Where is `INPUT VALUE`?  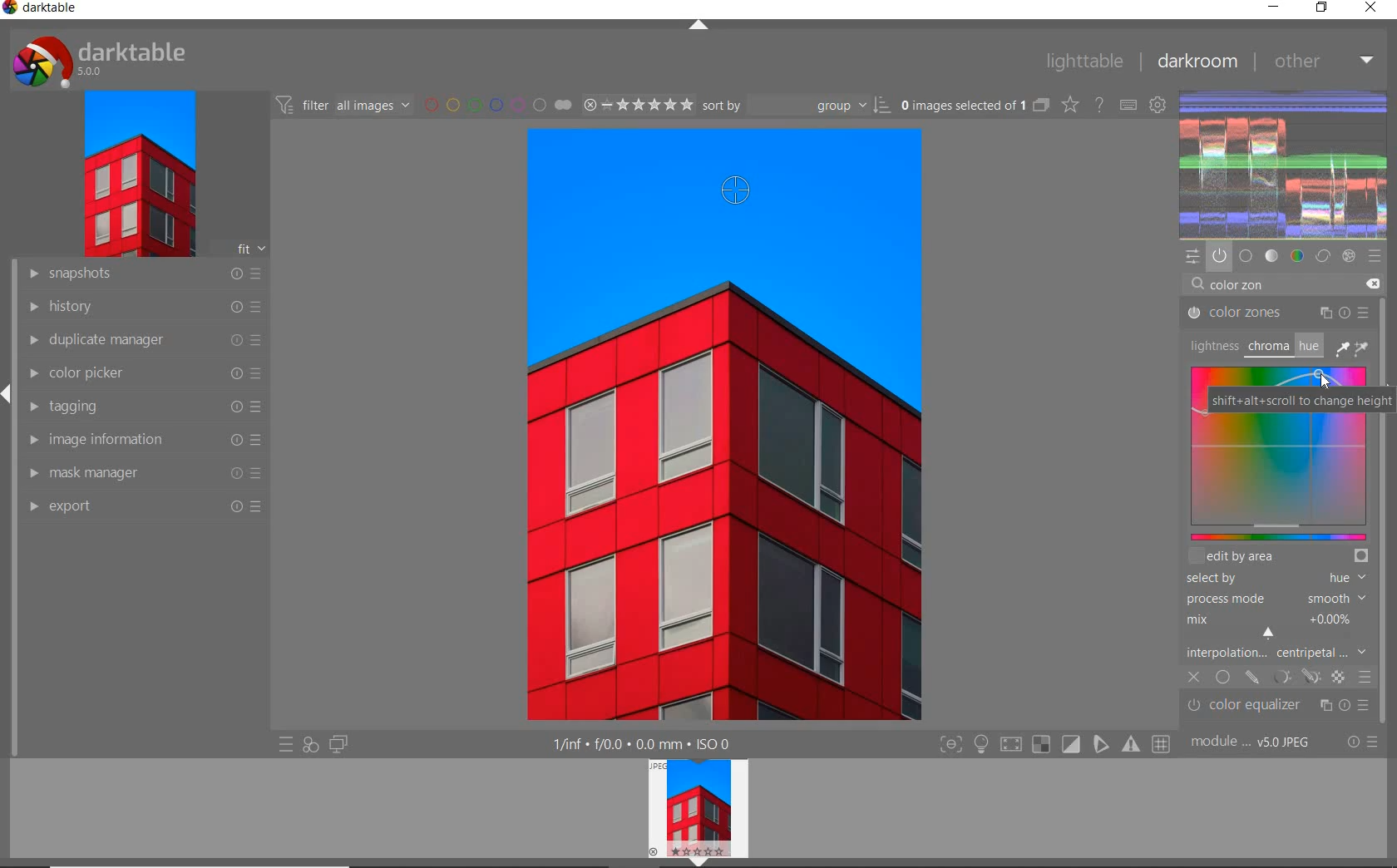 INPUT VALUE is located at coordinates (1230, 285).